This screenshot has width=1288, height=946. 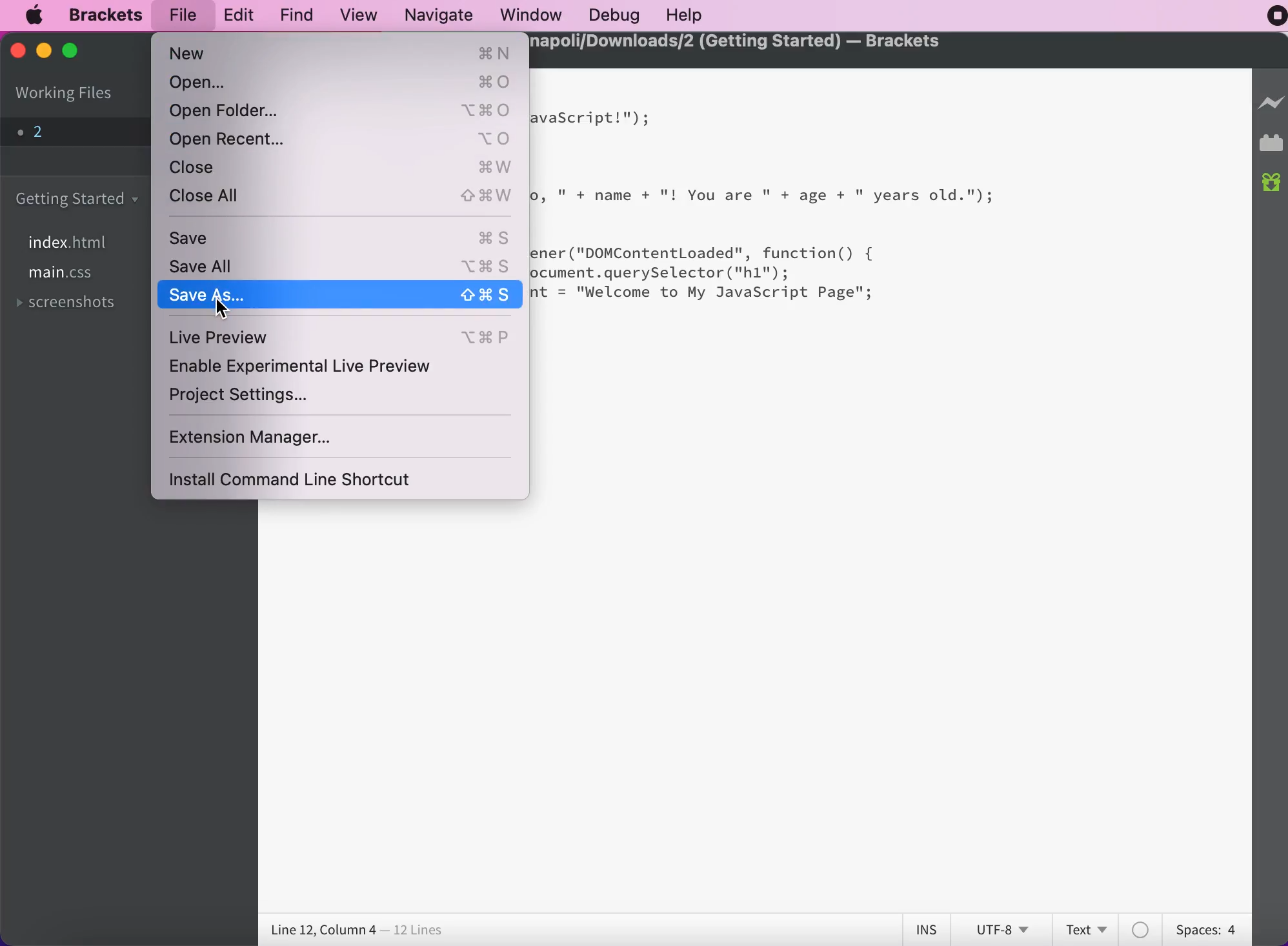 I want to click on new, so click(x=341, y=54).